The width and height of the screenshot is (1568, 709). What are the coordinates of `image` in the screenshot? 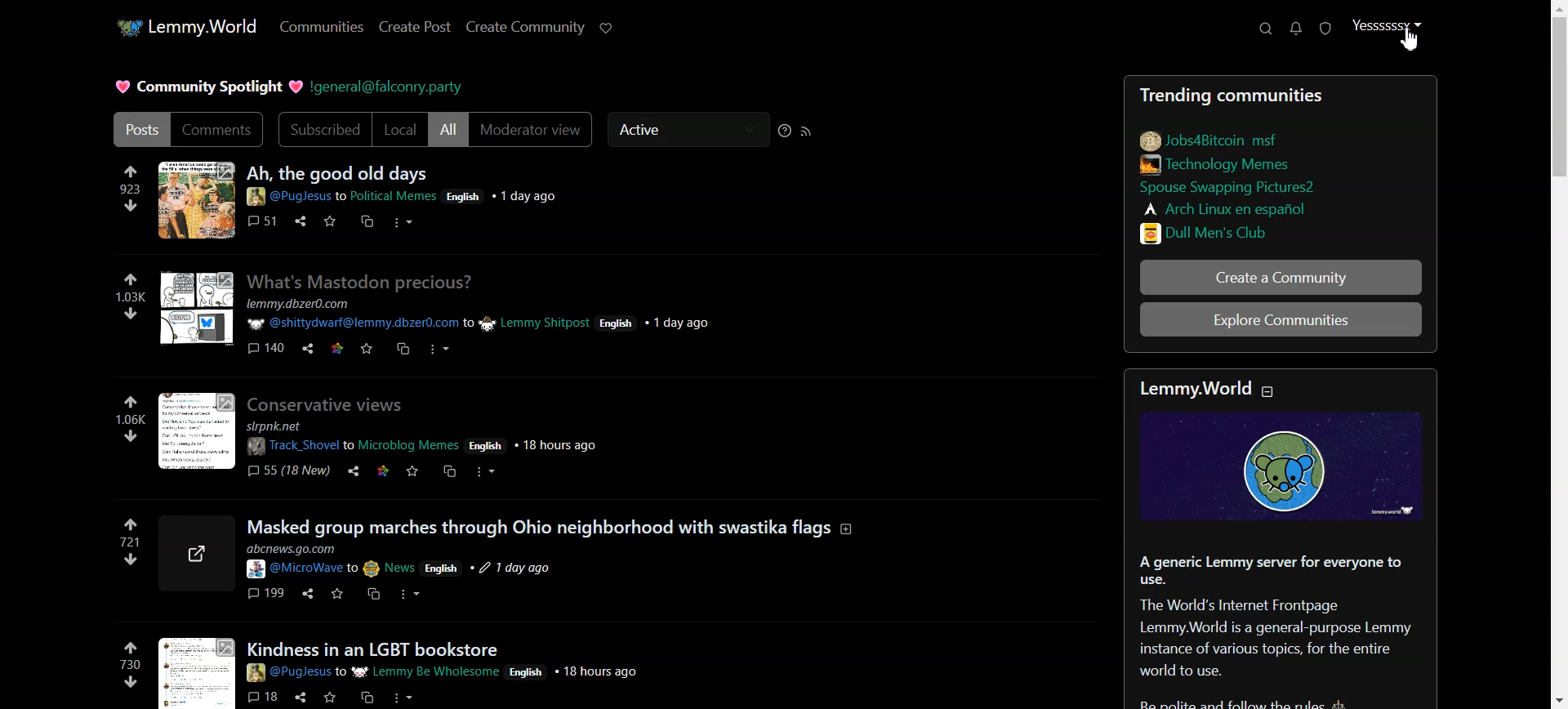 It's located at (194, 555).